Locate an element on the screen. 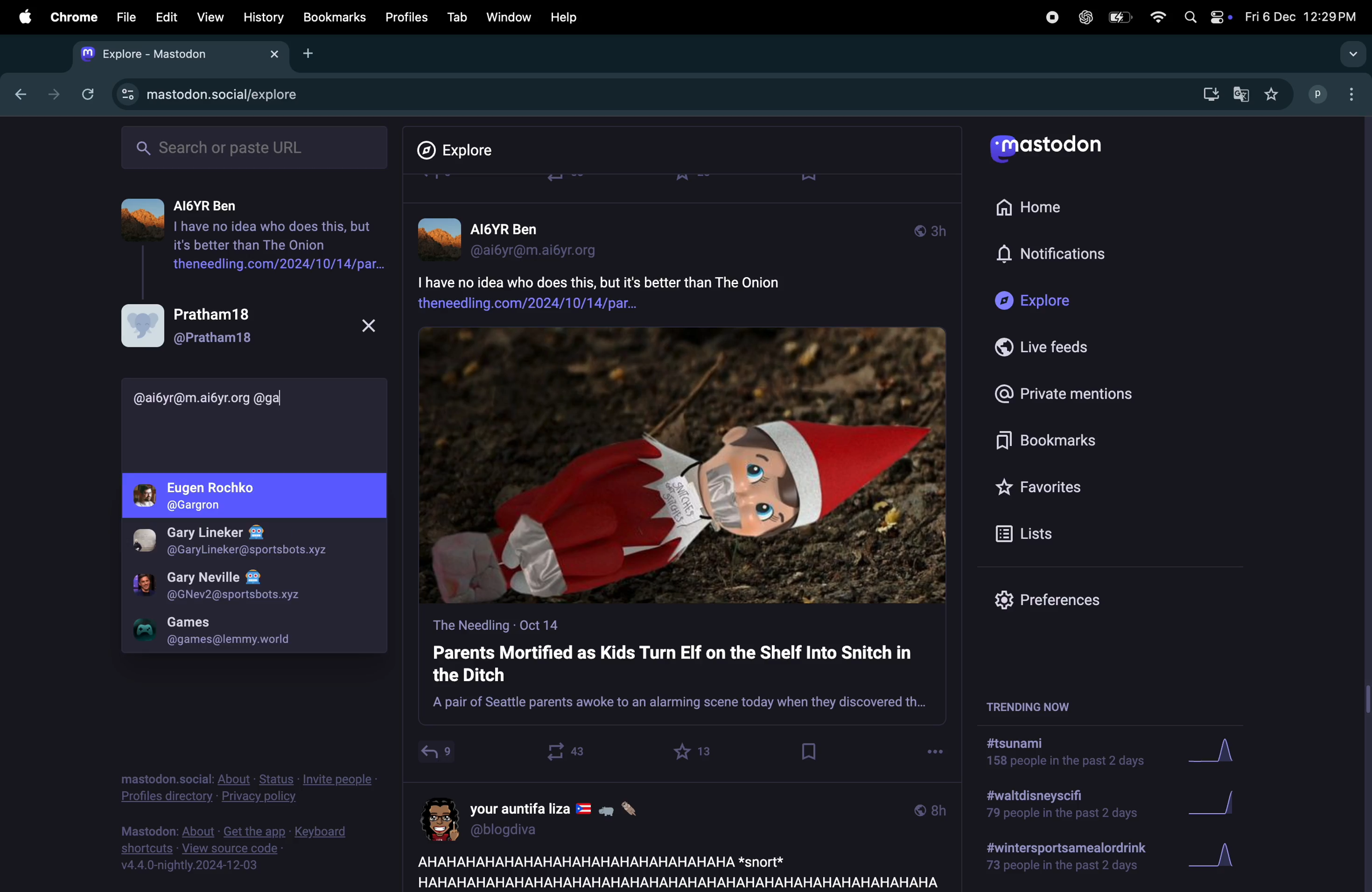  trending now is located at coordinates (1042, 705).